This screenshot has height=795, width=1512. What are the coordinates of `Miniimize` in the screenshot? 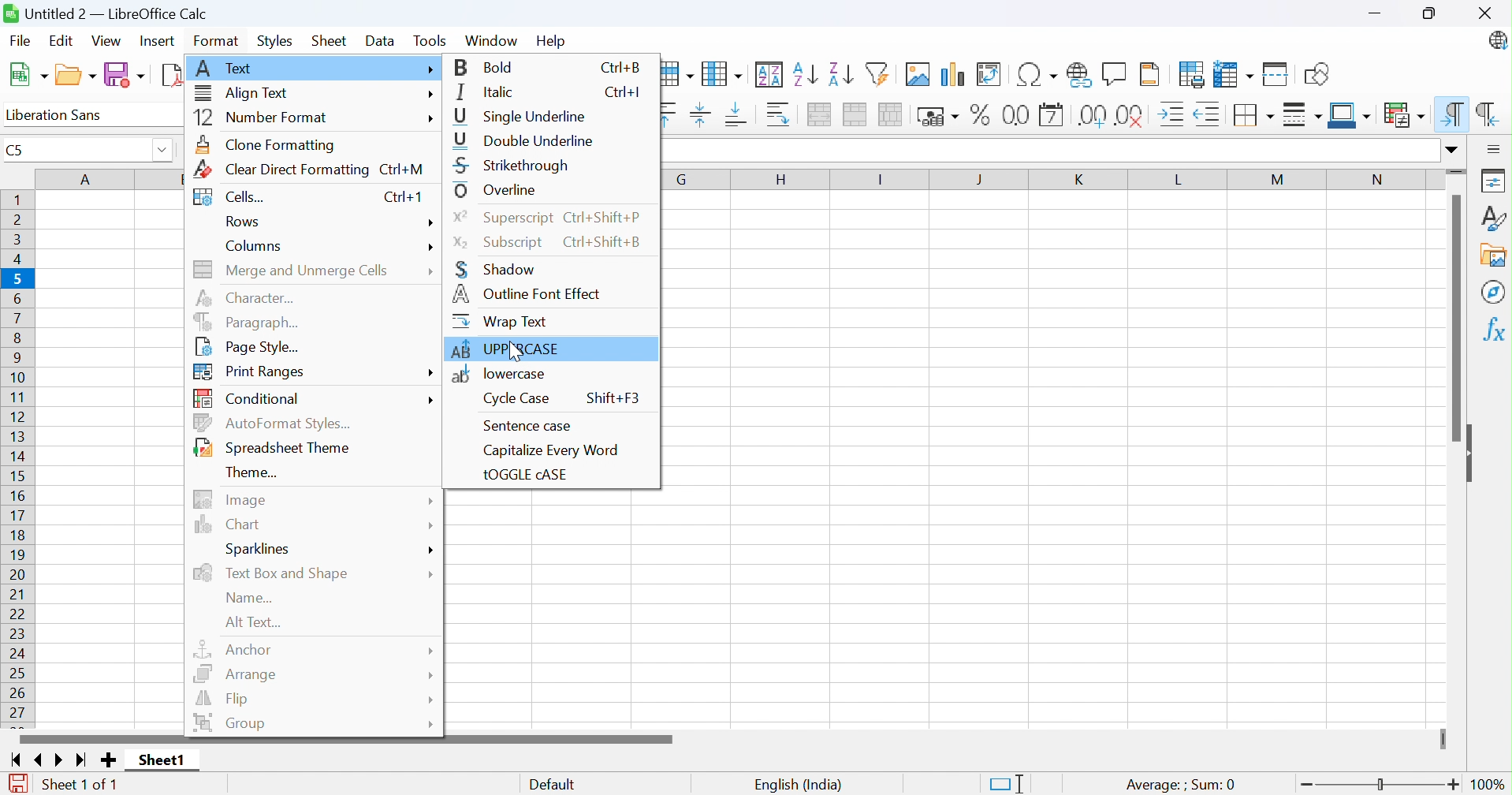 It's located at (1376, 14).